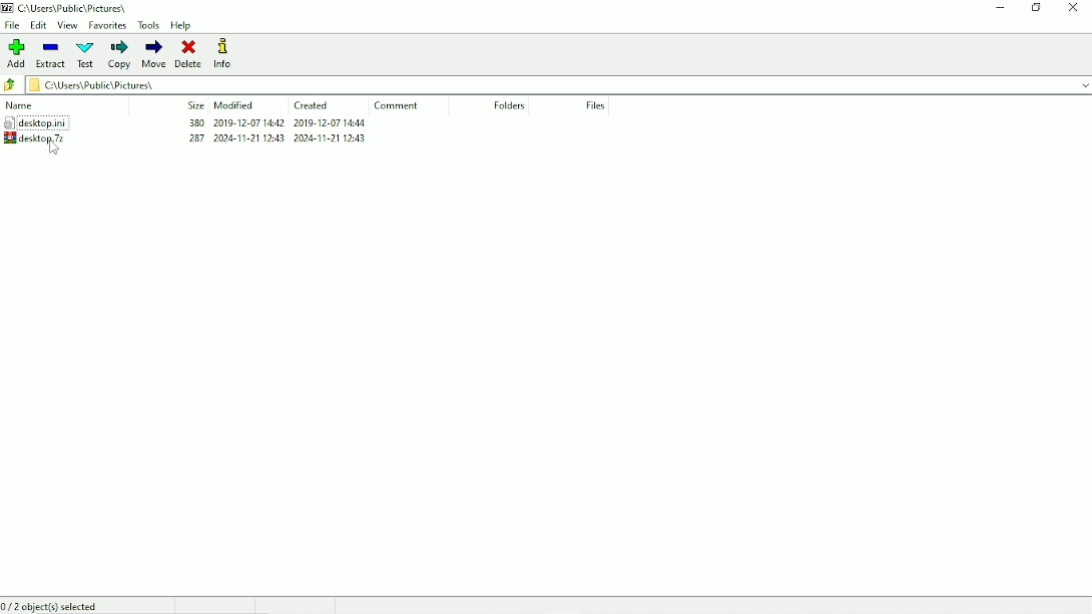  I want to click on Name, so click(22, 105).